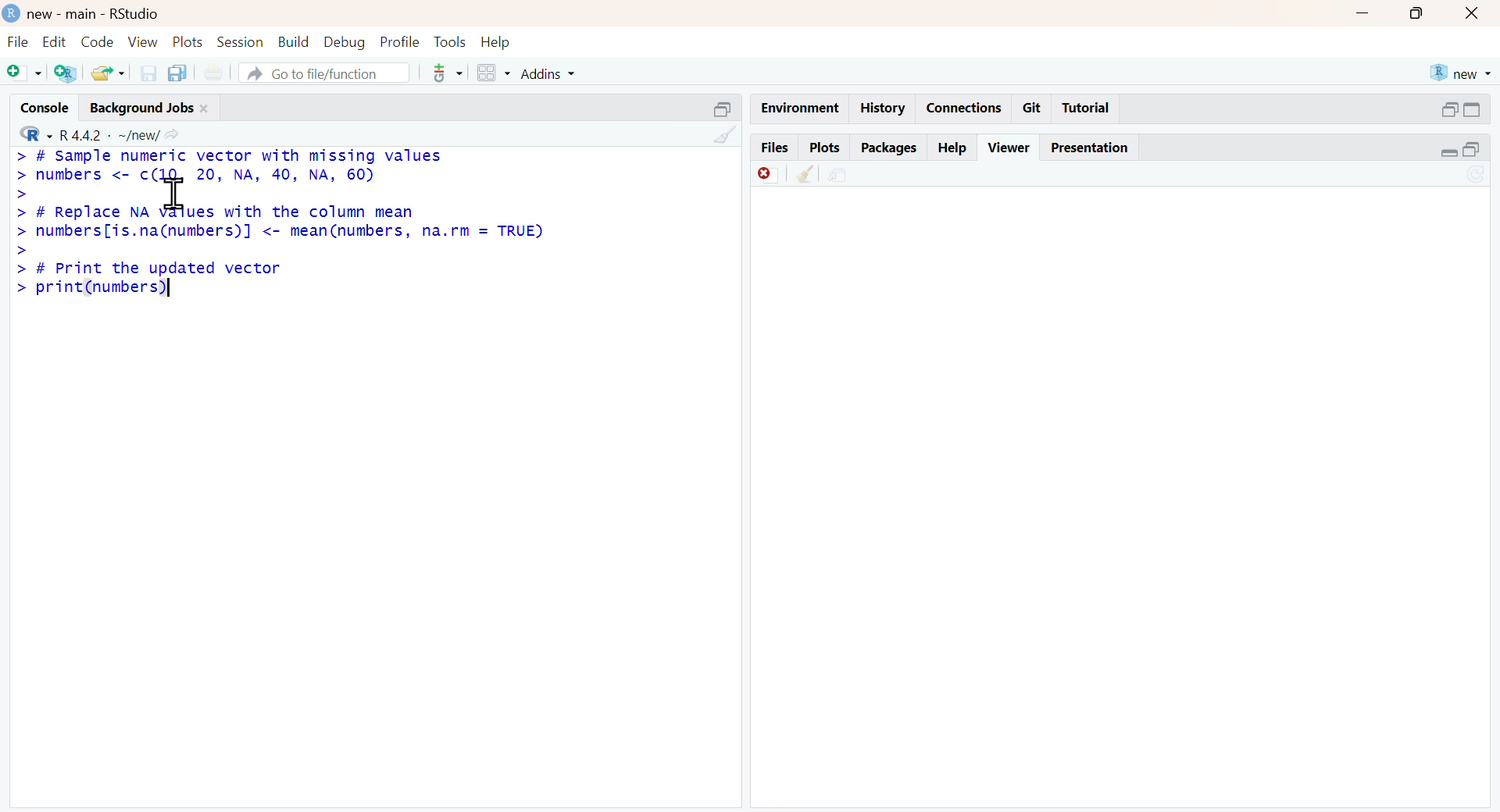  What do you see at coordinates (1087, 109) in the screenshot?
I see `tutorial` at bounding box center [1087, 109].